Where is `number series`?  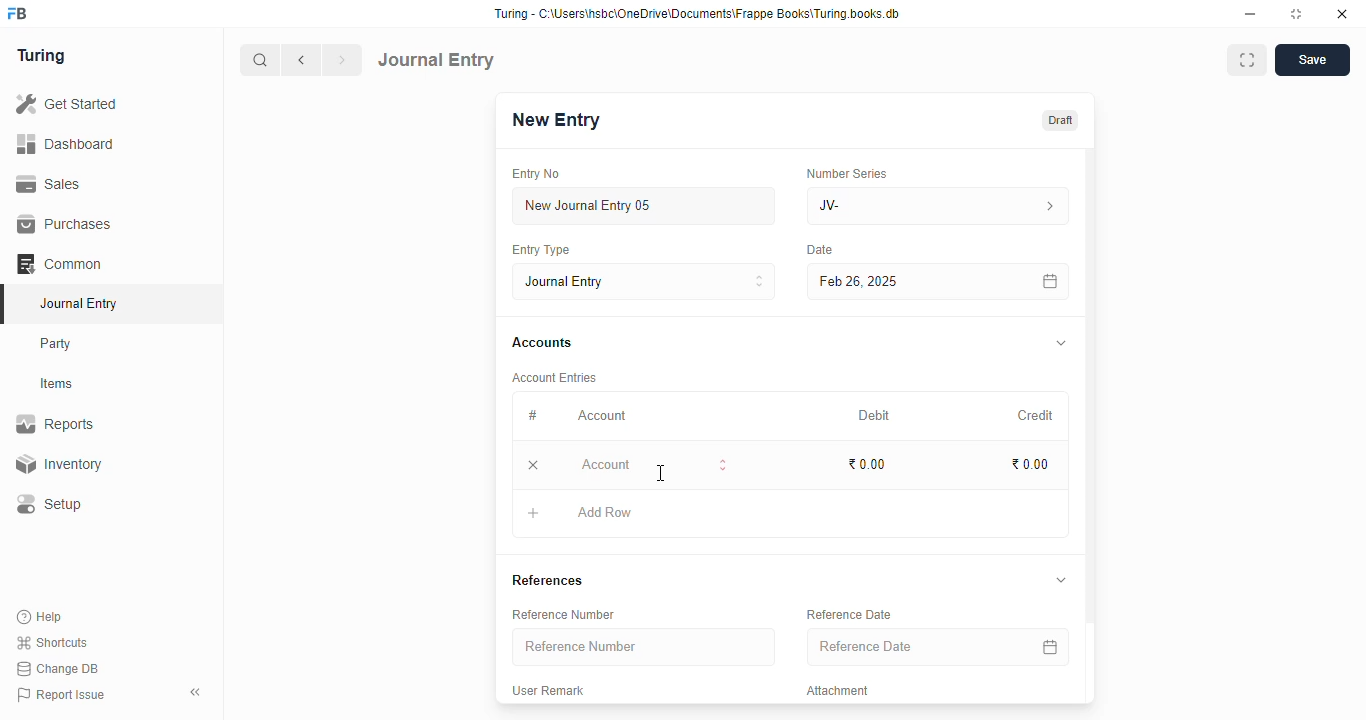
number series is located at coordinates (846, 173).